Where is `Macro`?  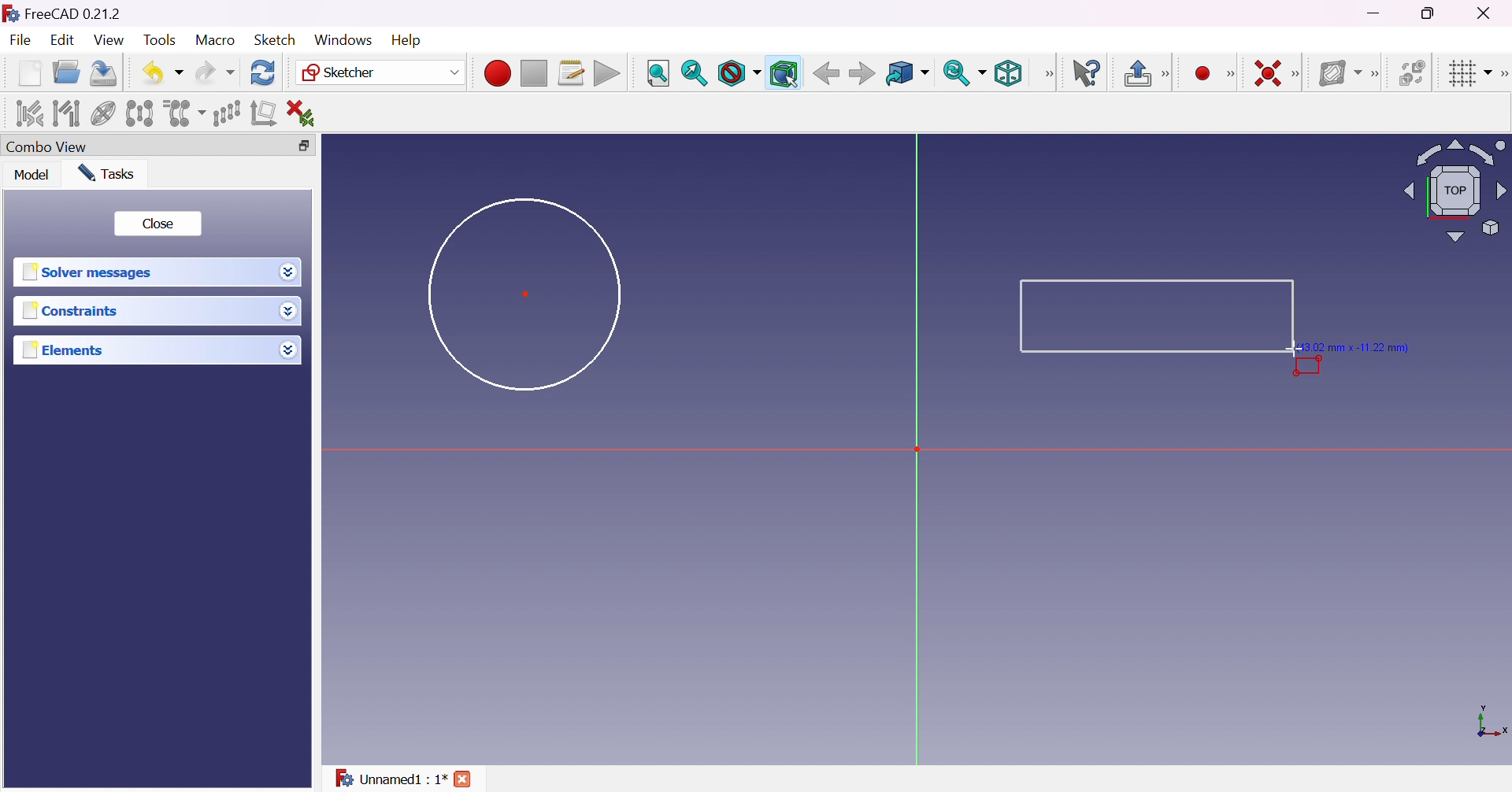
Macro is located at coordinates (216, 39).